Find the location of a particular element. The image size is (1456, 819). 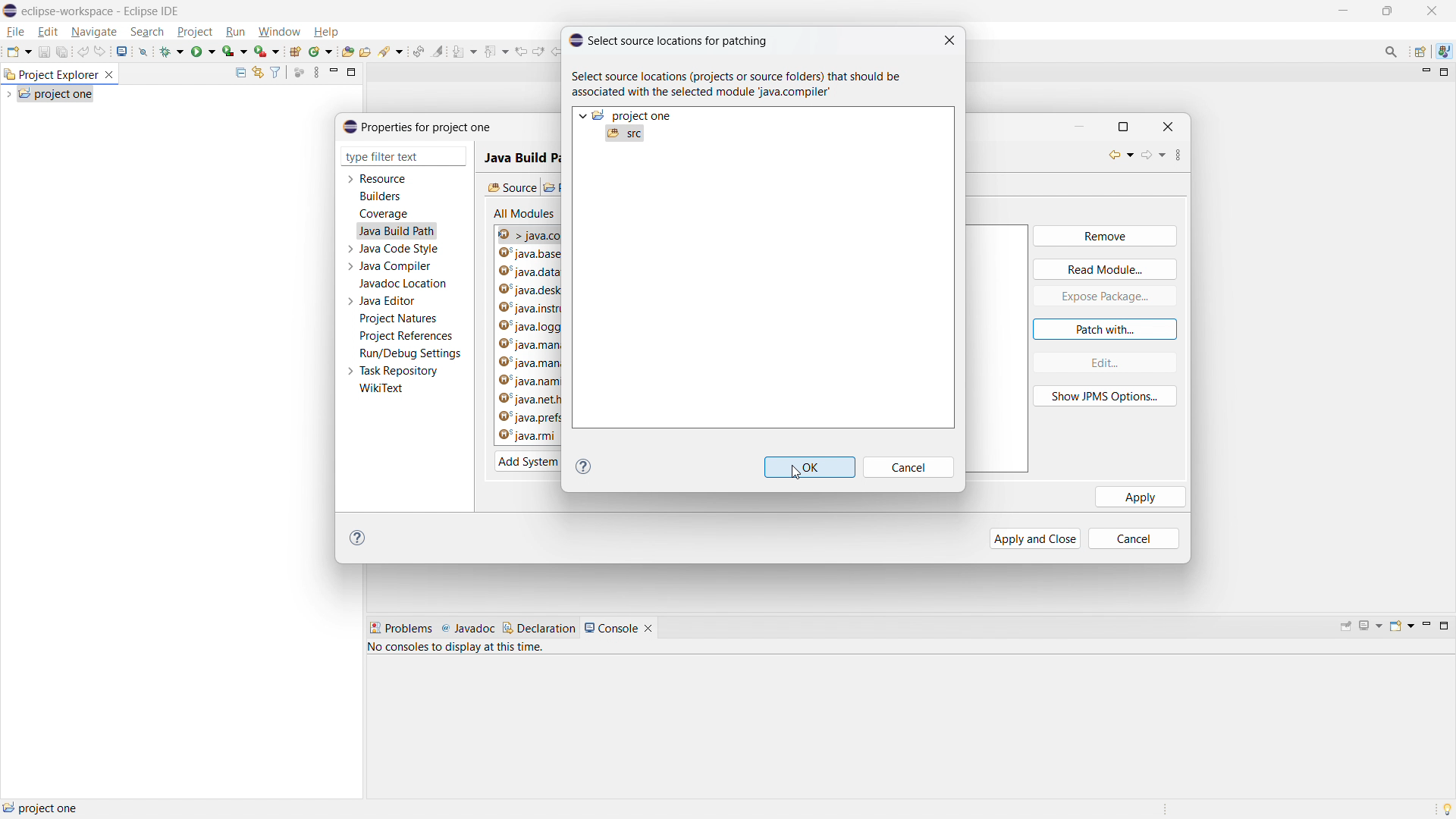

skip all breakpoint is located at coordinates (143, 50).